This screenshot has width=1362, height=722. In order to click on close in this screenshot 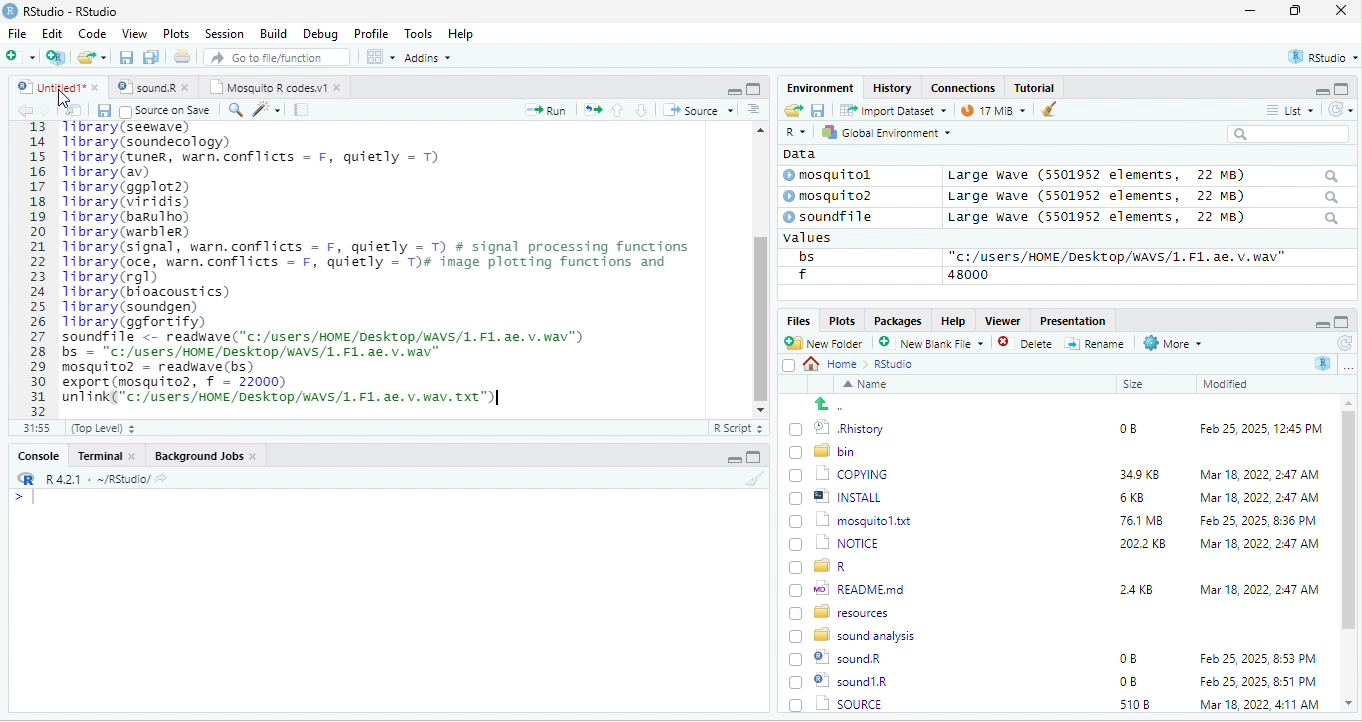, I will do `click(1341, 12)`.